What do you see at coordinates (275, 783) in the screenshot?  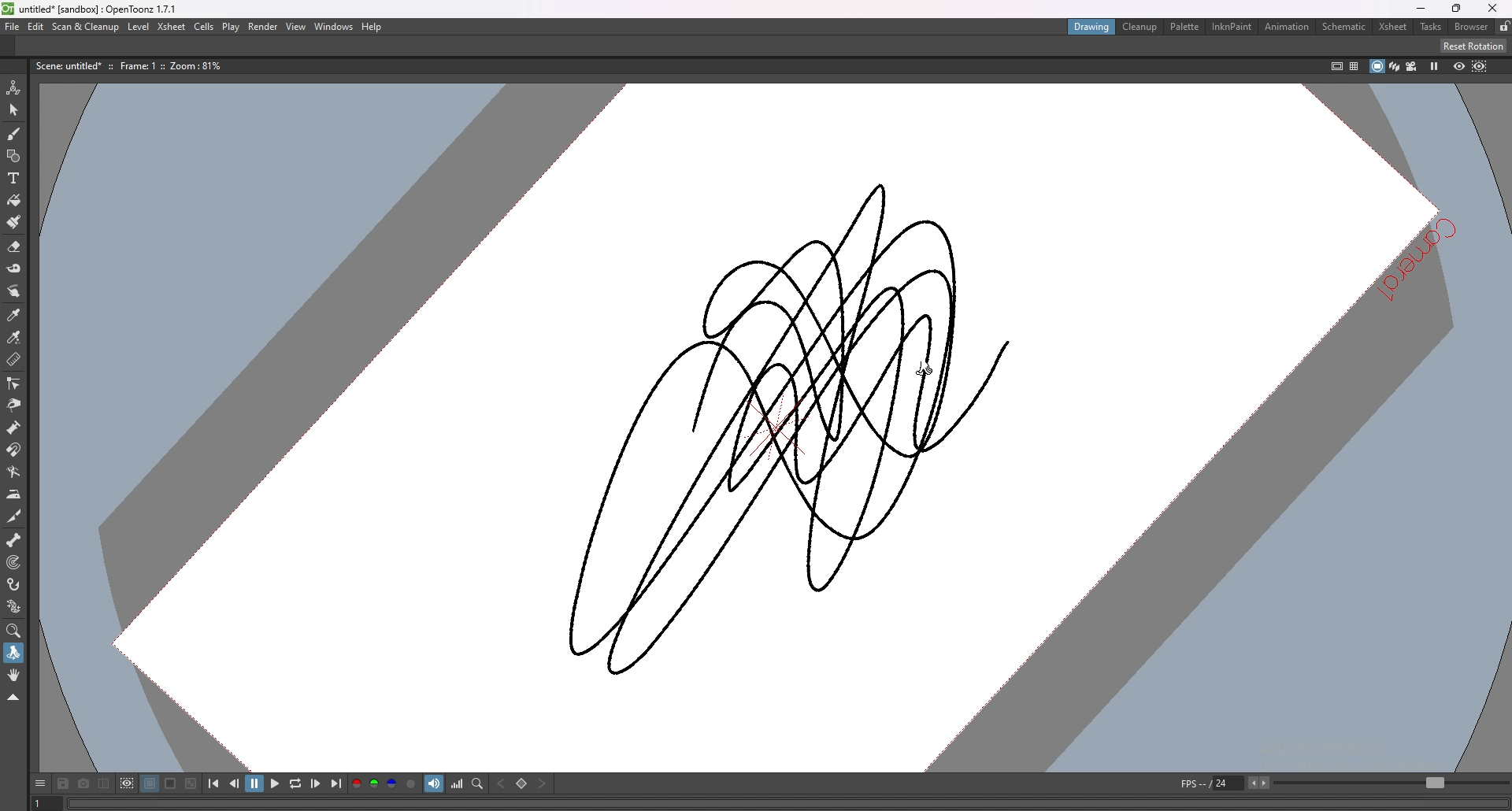 I see `play` at bounding box center [275, 783].